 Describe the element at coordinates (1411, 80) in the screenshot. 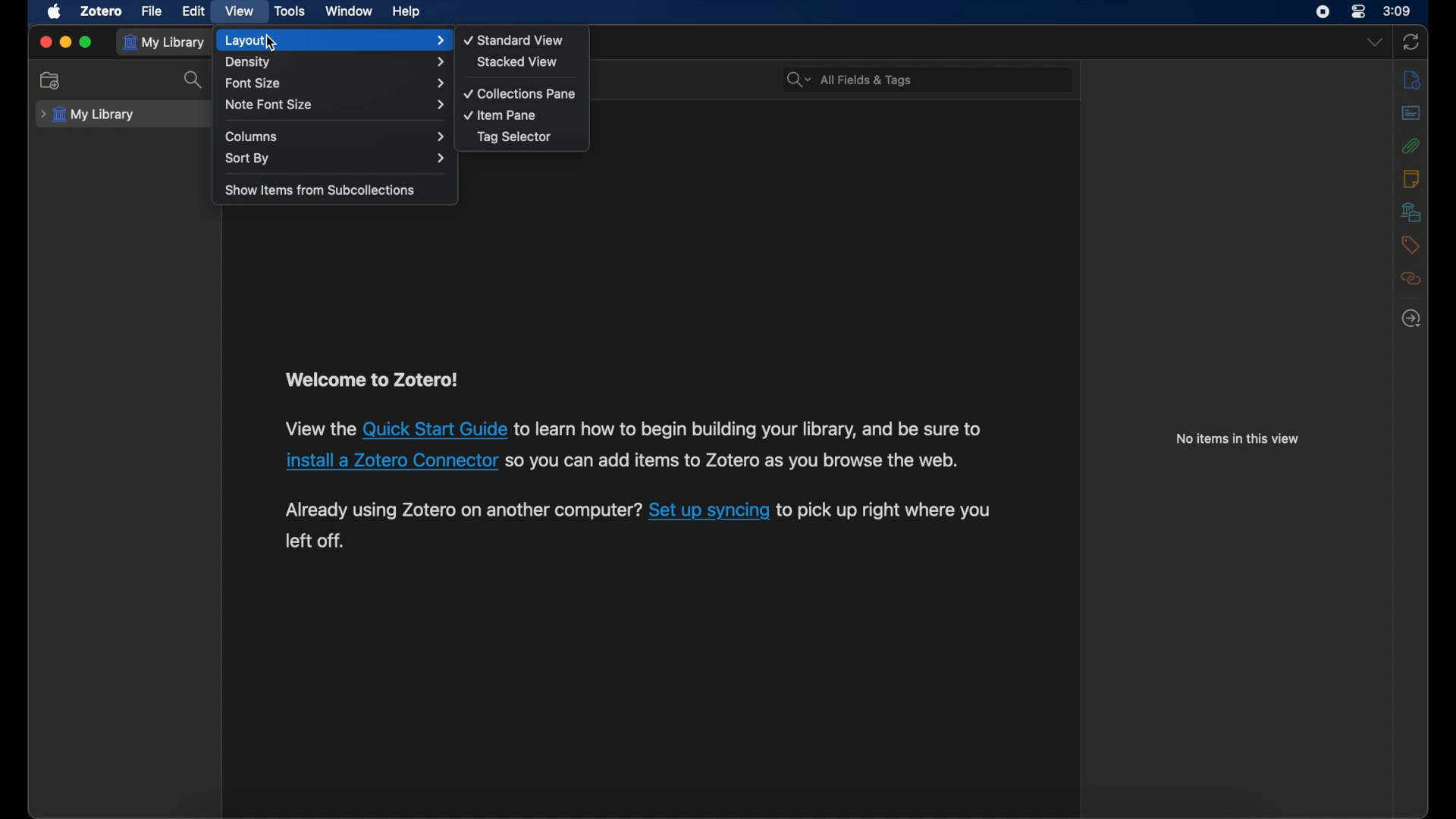

I see `info` at that location.